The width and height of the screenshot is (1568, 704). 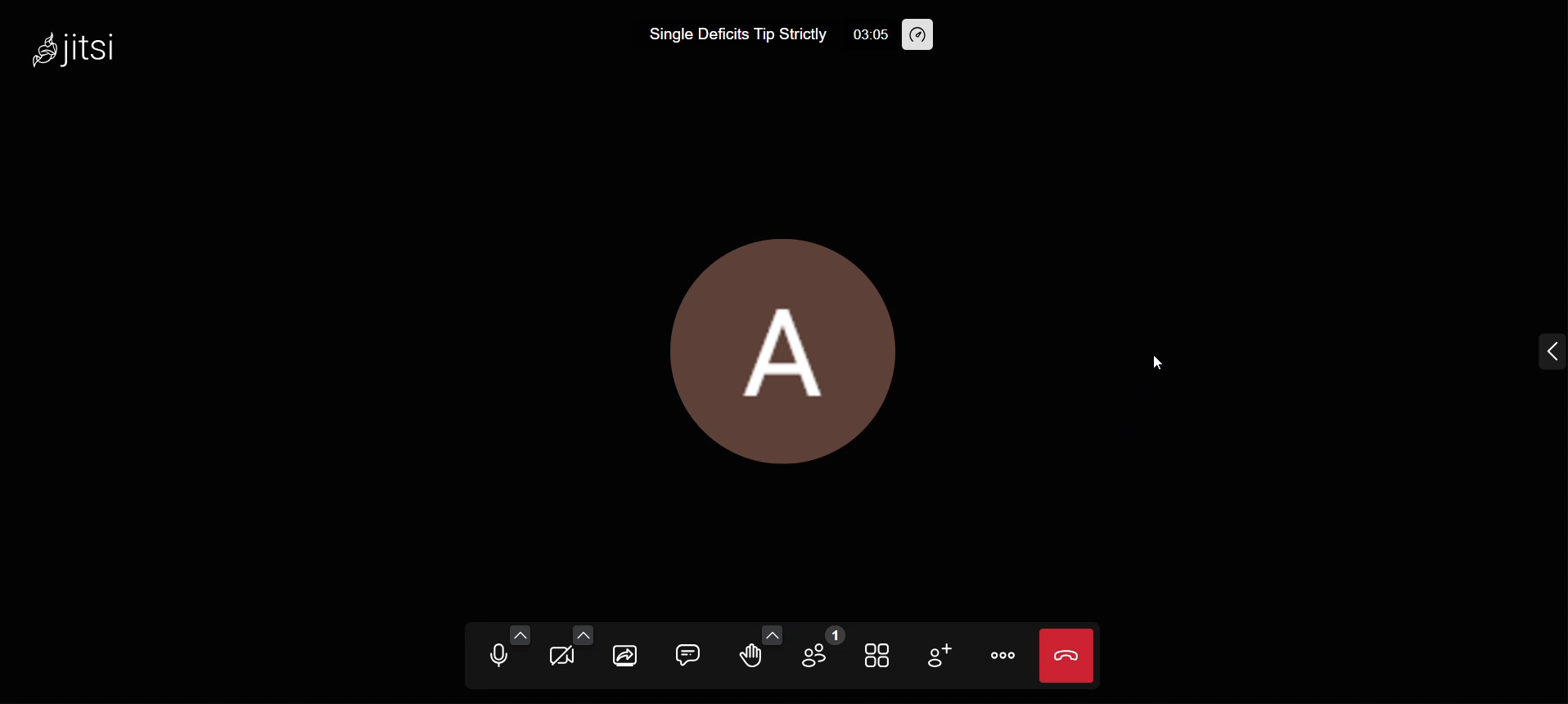 What do you see at coordinates (95, 49) in the screenshot?
I see `jitsi` at bounding box center [95, 49].